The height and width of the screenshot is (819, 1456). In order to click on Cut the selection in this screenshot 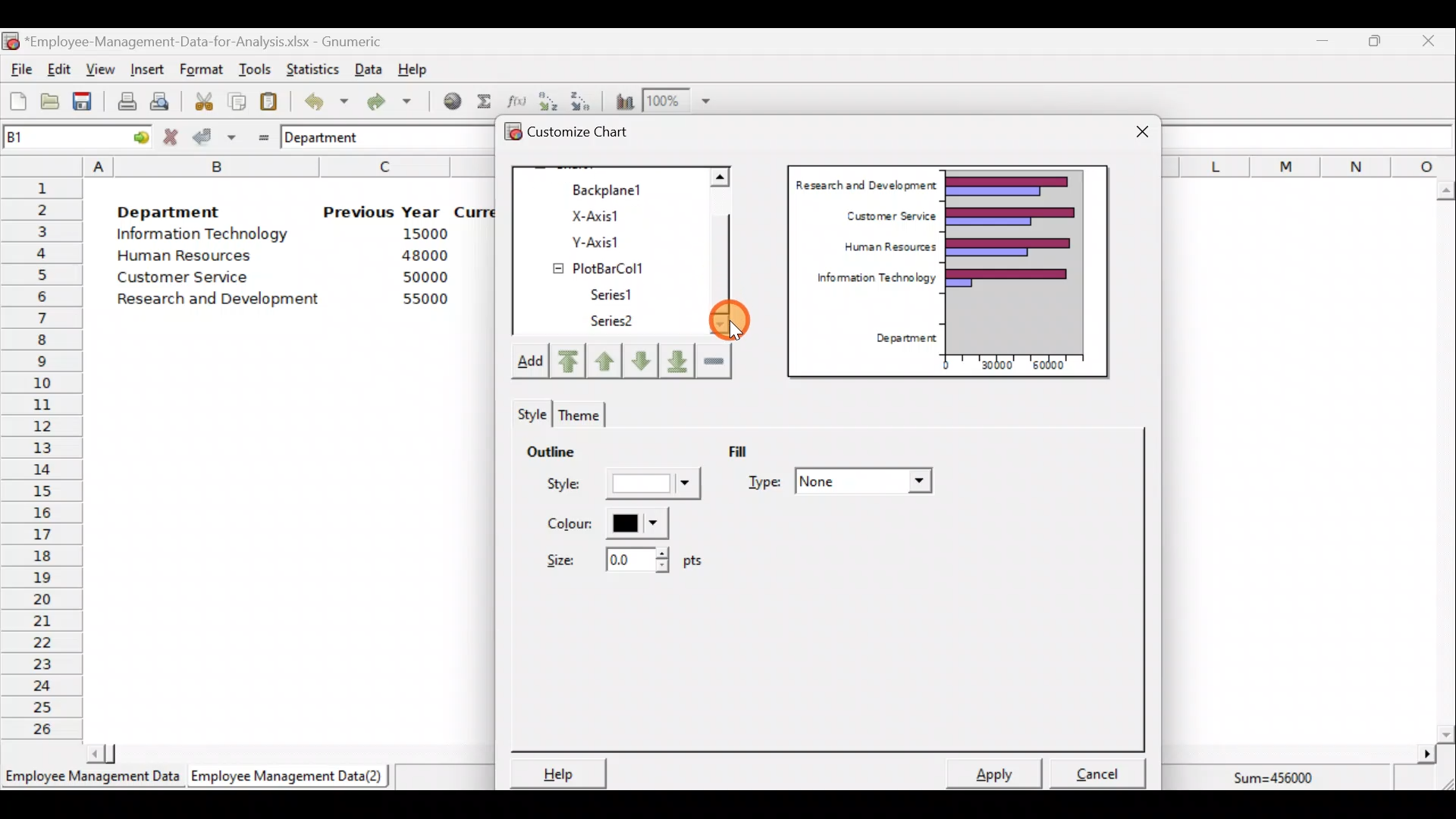, I will do `click(199, 99)`.